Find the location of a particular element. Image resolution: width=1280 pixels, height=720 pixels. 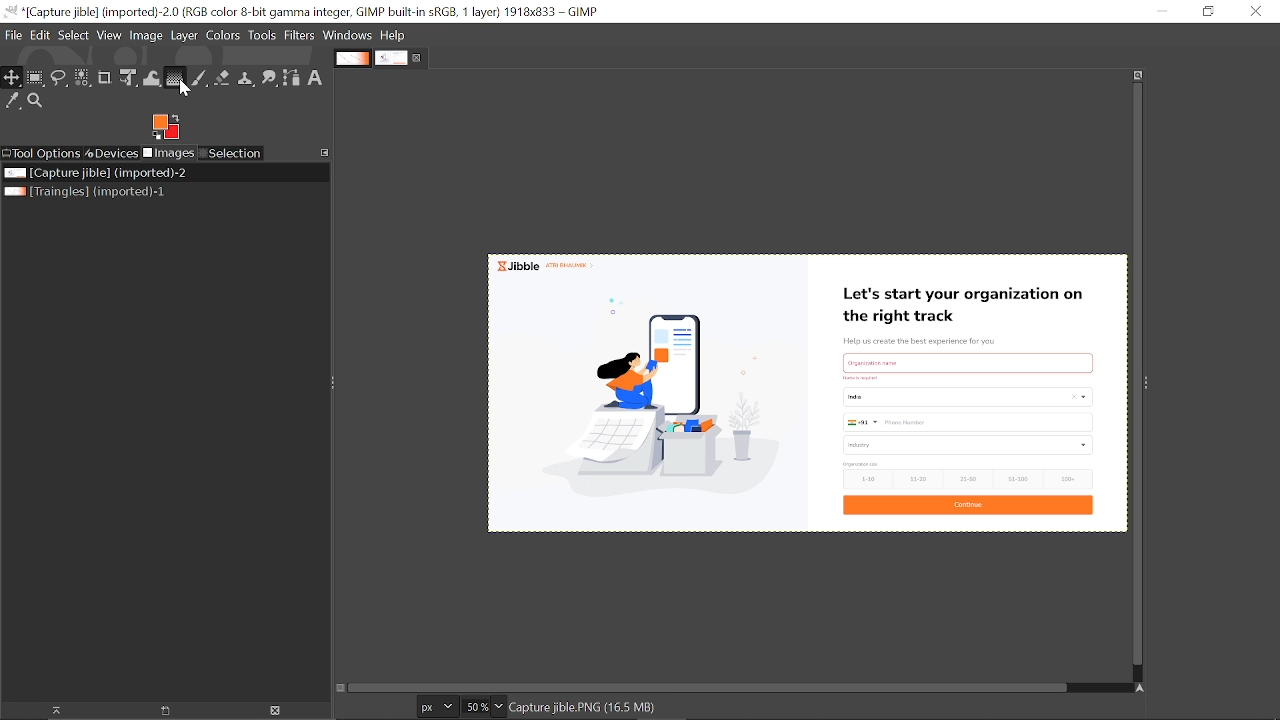

Tools is located at coordinates (264, 35).